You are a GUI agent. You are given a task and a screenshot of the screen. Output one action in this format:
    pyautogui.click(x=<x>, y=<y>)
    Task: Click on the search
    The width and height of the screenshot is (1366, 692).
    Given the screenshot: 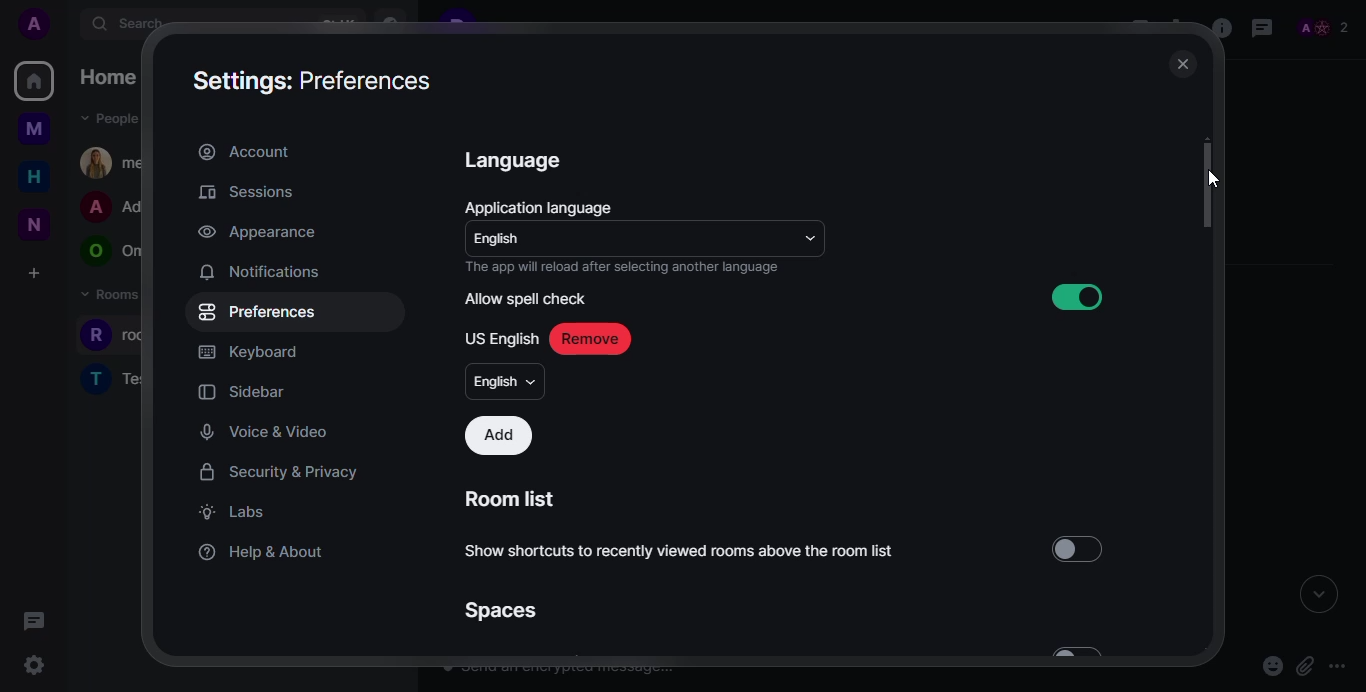 What is the action you would take?
    pyautogui.click(x=136, y=25)
    